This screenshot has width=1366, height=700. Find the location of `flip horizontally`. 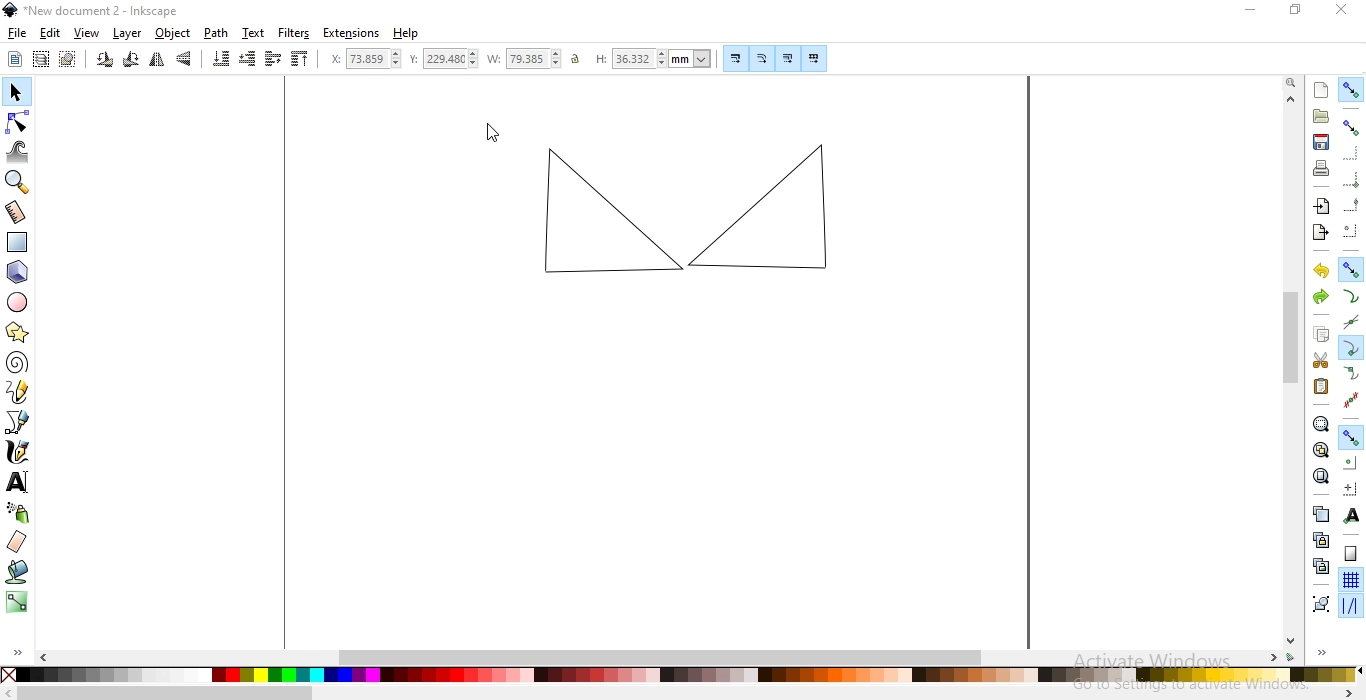

flip horizontally is located at coordinates (155, 60).